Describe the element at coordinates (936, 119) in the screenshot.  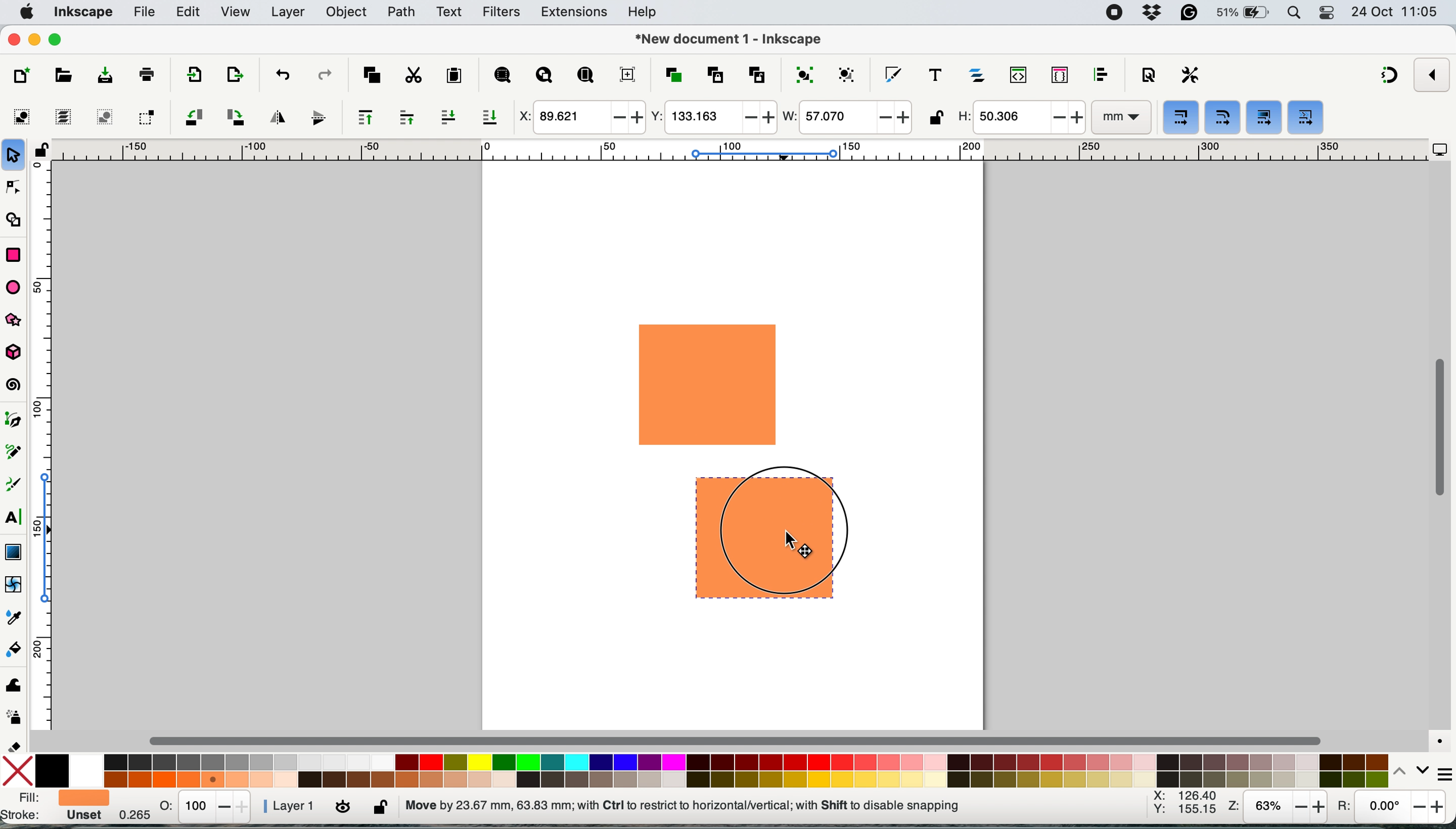
I see `lock unlock` at that location.